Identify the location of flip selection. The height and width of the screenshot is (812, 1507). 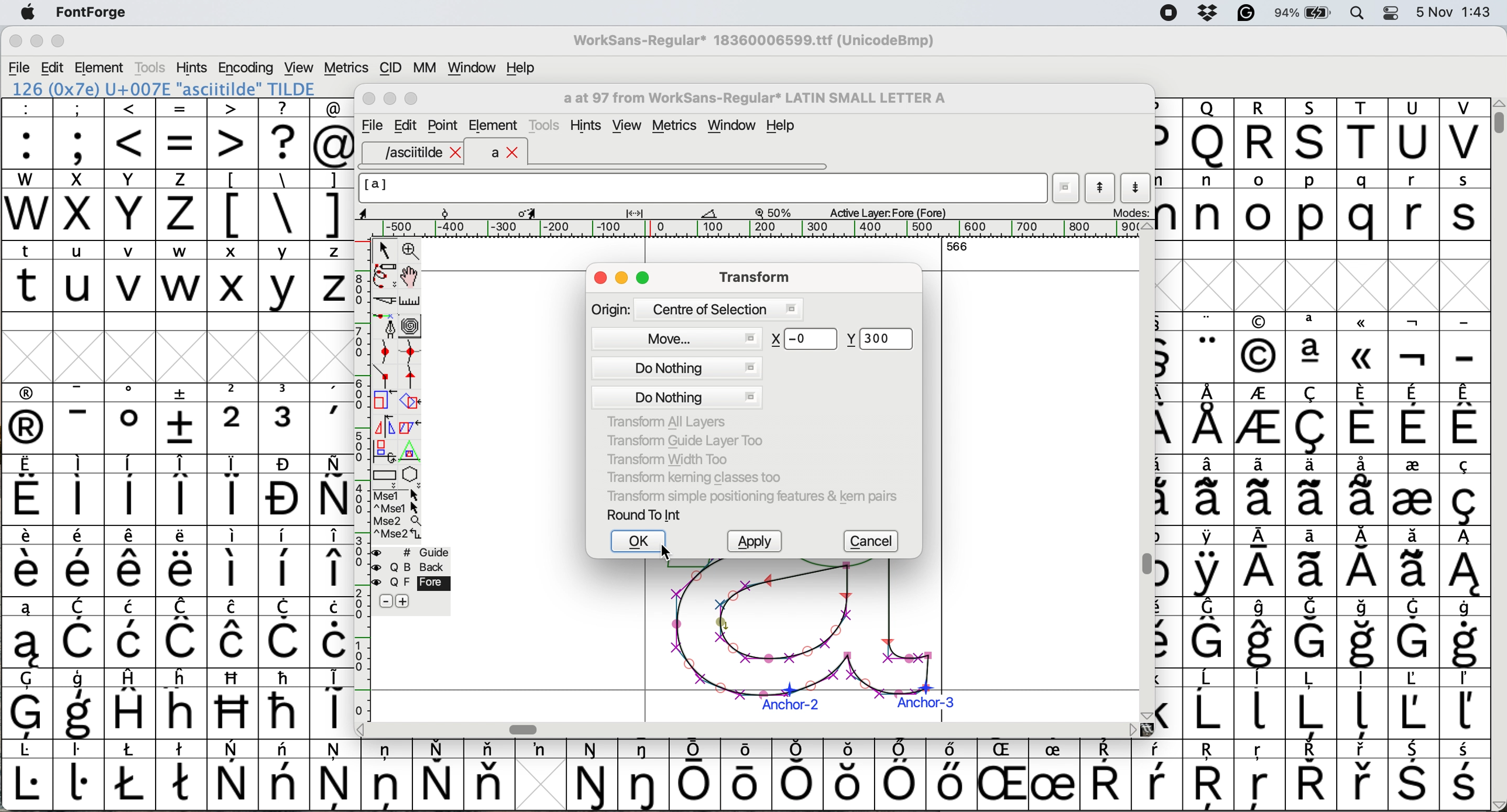
(384, 425).